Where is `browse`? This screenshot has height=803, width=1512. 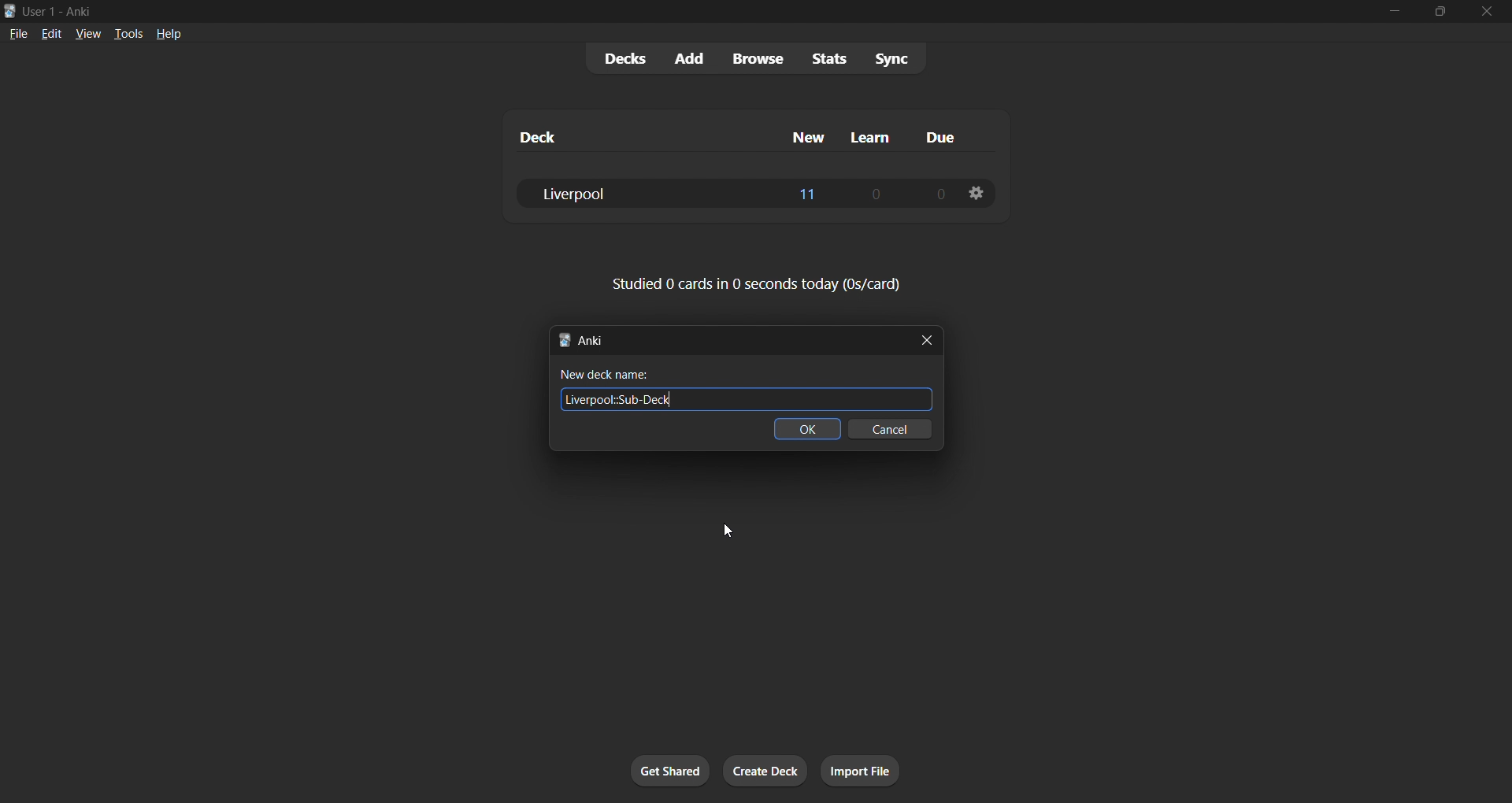
browse is located at coordinates (754, 56).